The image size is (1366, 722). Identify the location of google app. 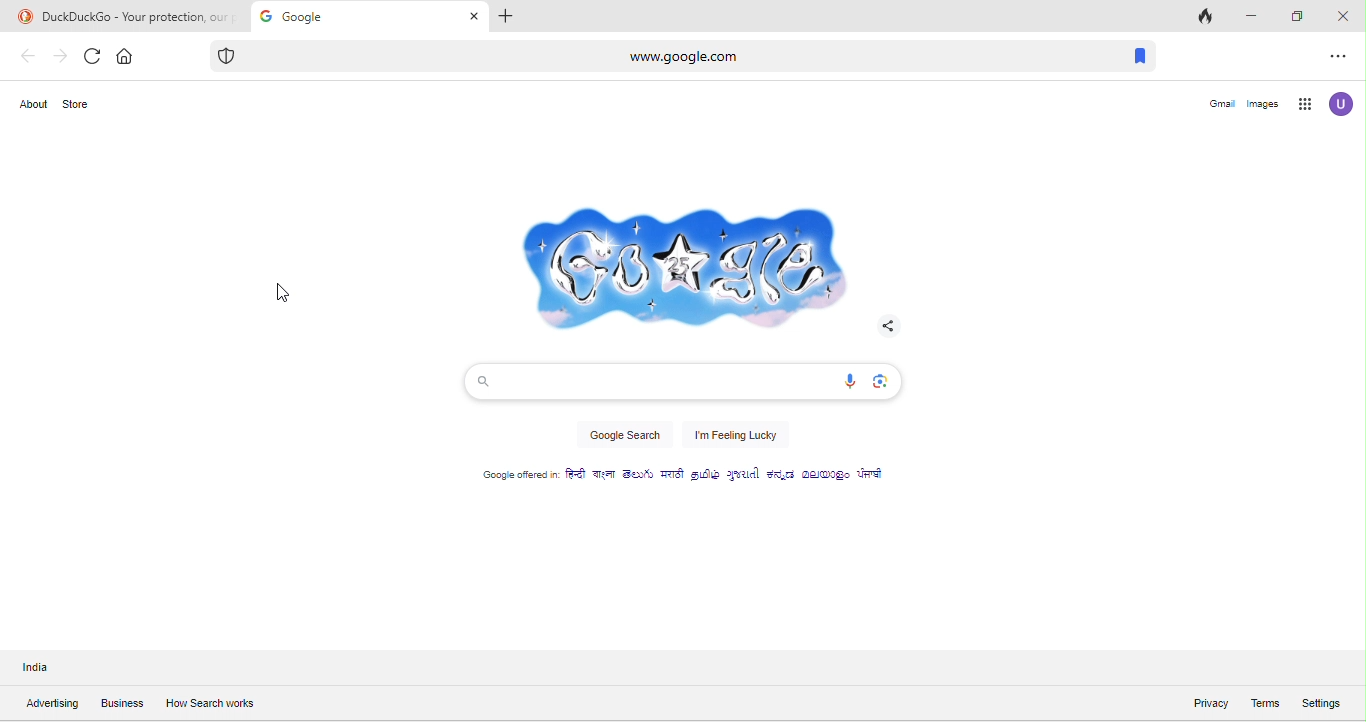
(1308, 105).